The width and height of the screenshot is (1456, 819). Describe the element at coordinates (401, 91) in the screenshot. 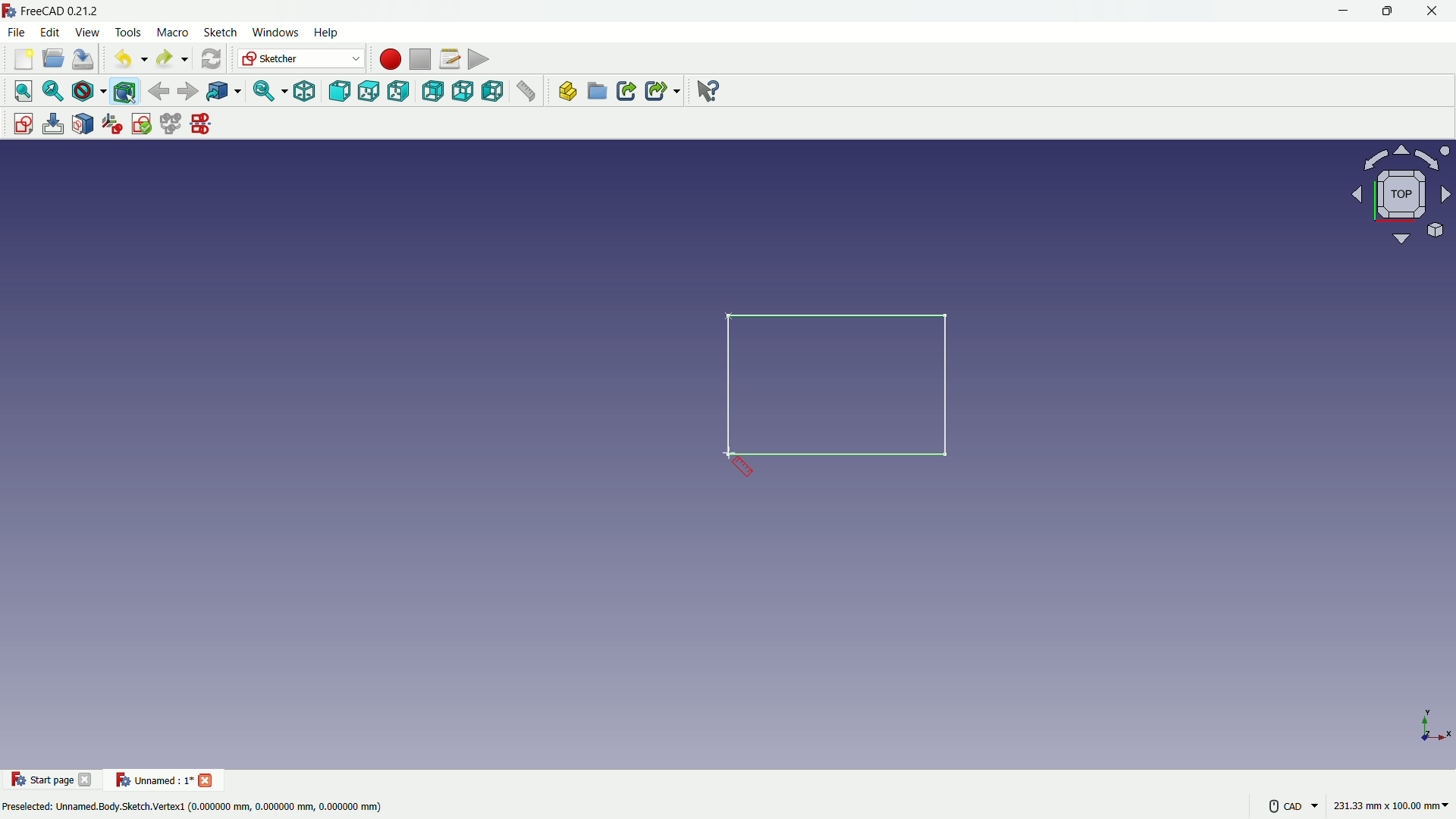

I see `right view` at that location.